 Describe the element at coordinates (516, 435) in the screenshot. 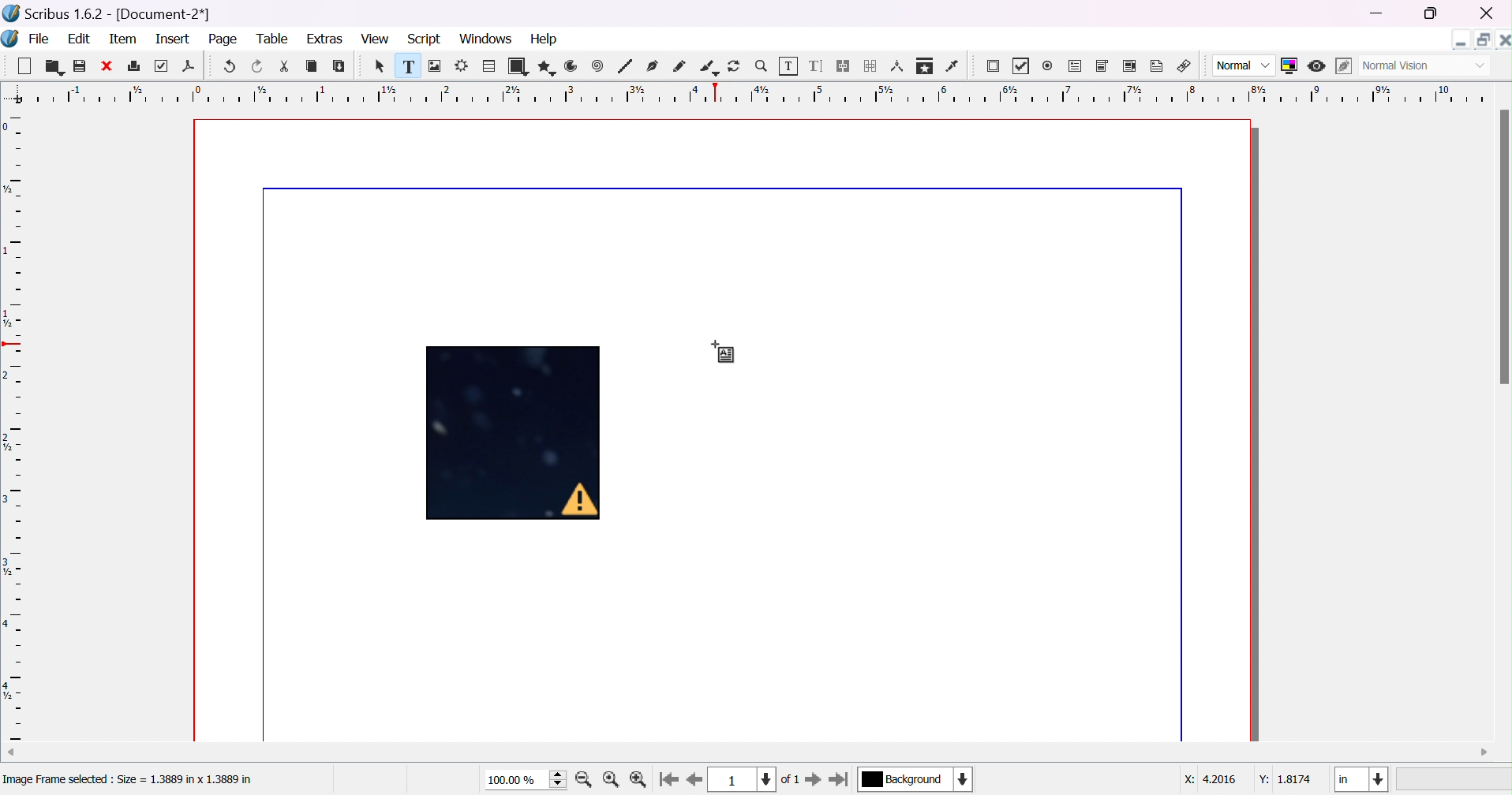

I see `Image` at that location.